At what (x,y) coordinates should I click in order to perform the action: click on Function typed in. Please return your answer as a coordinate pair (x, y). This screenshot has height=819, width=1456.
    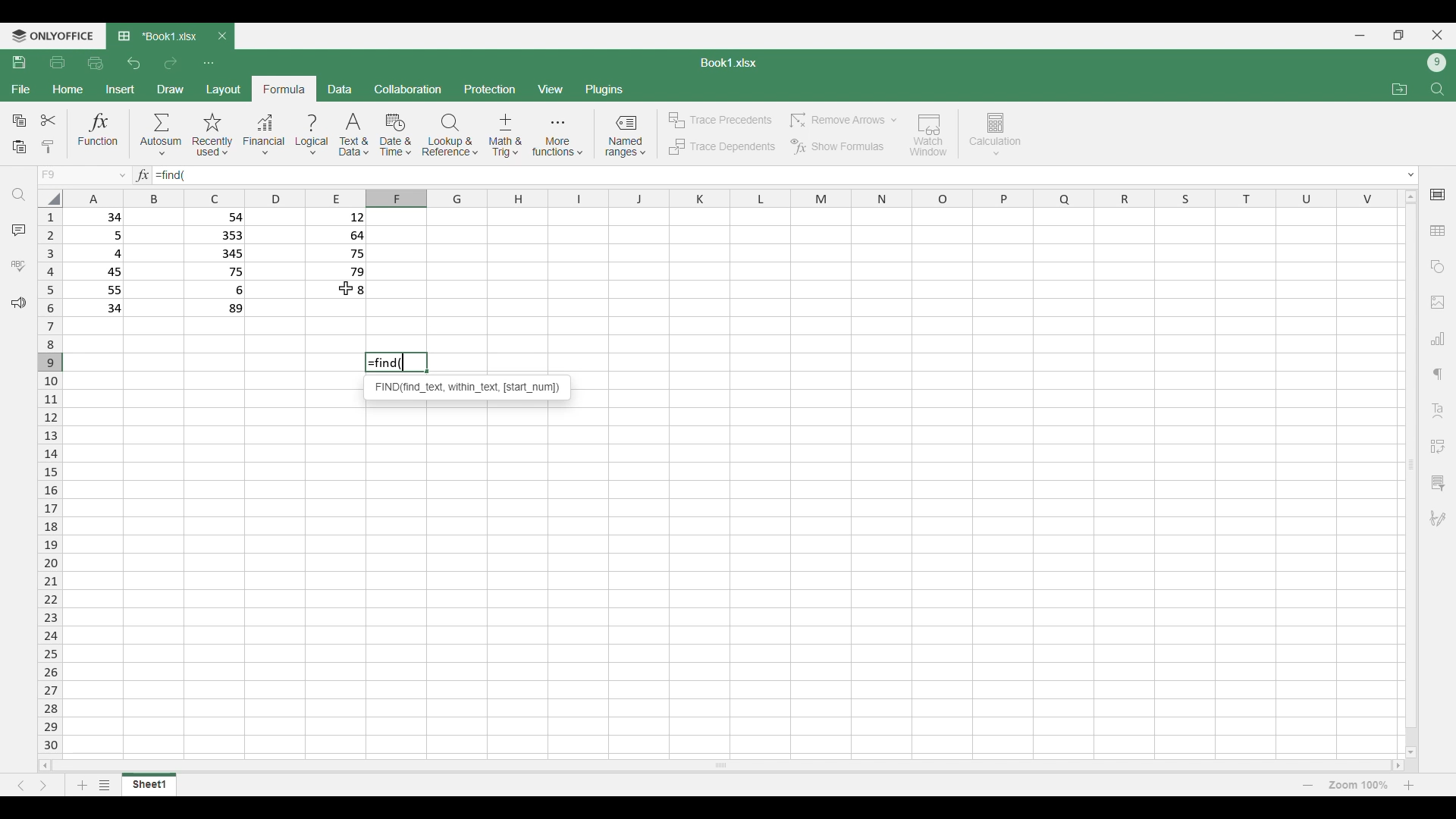
    Looking at the image, I should click on (171, 175).